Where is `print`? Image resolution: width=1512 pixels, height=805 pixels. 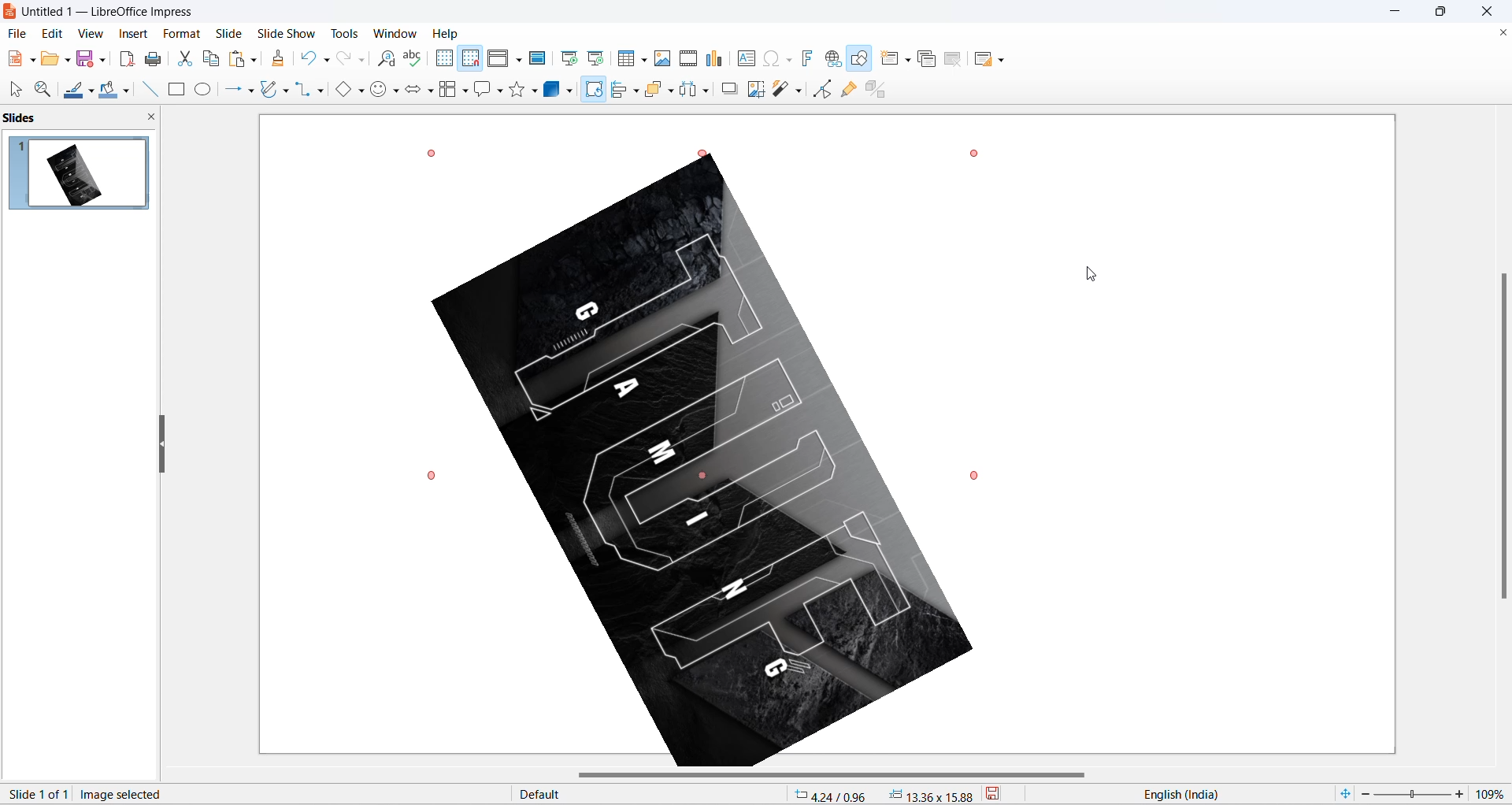 print is located at coordinates (158, 59).